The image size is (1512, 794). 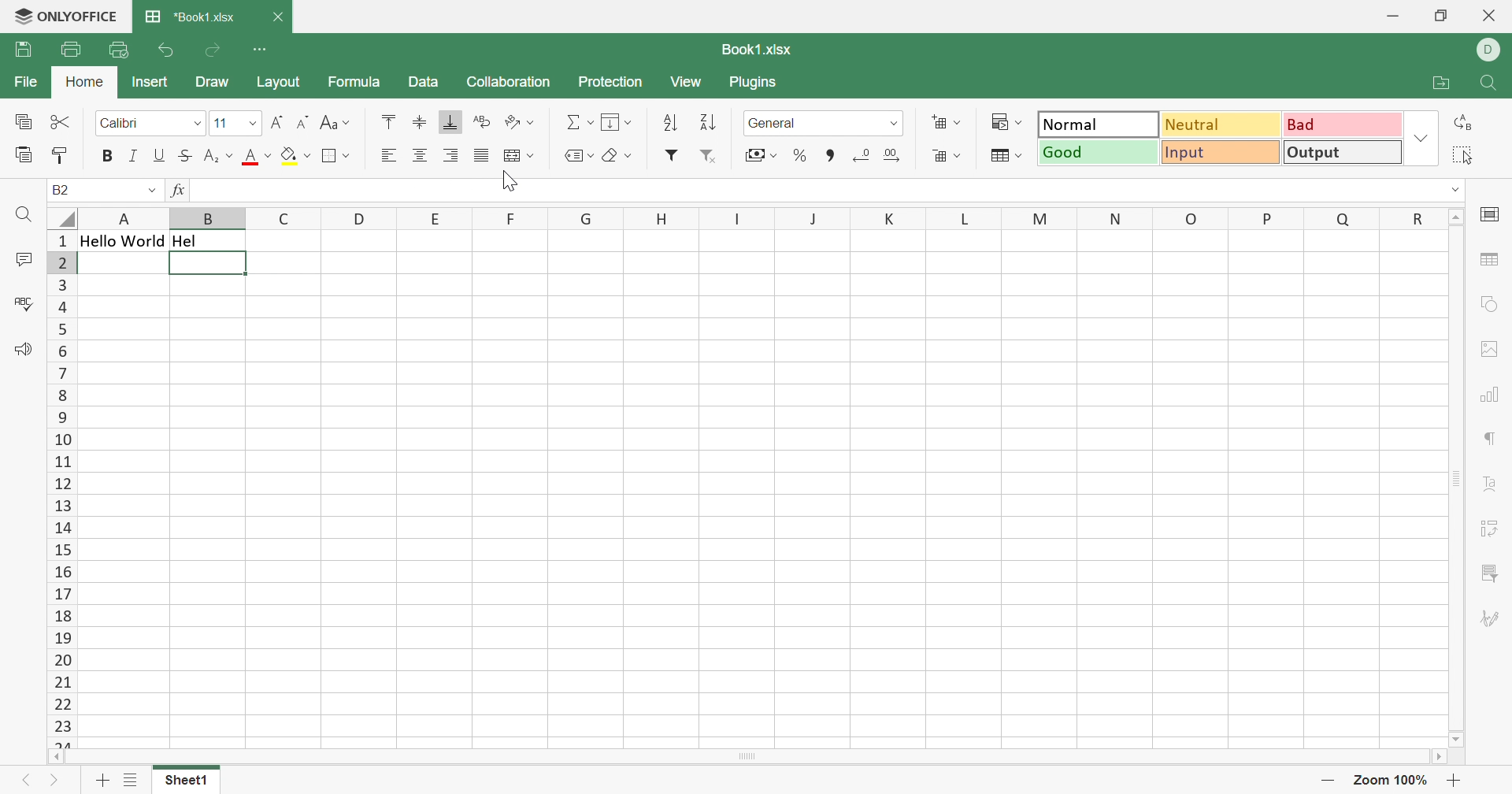 What do you see at coordinates (206, 265) in the screenshot?
I see `Hello world` at bounding box center [206, 265].